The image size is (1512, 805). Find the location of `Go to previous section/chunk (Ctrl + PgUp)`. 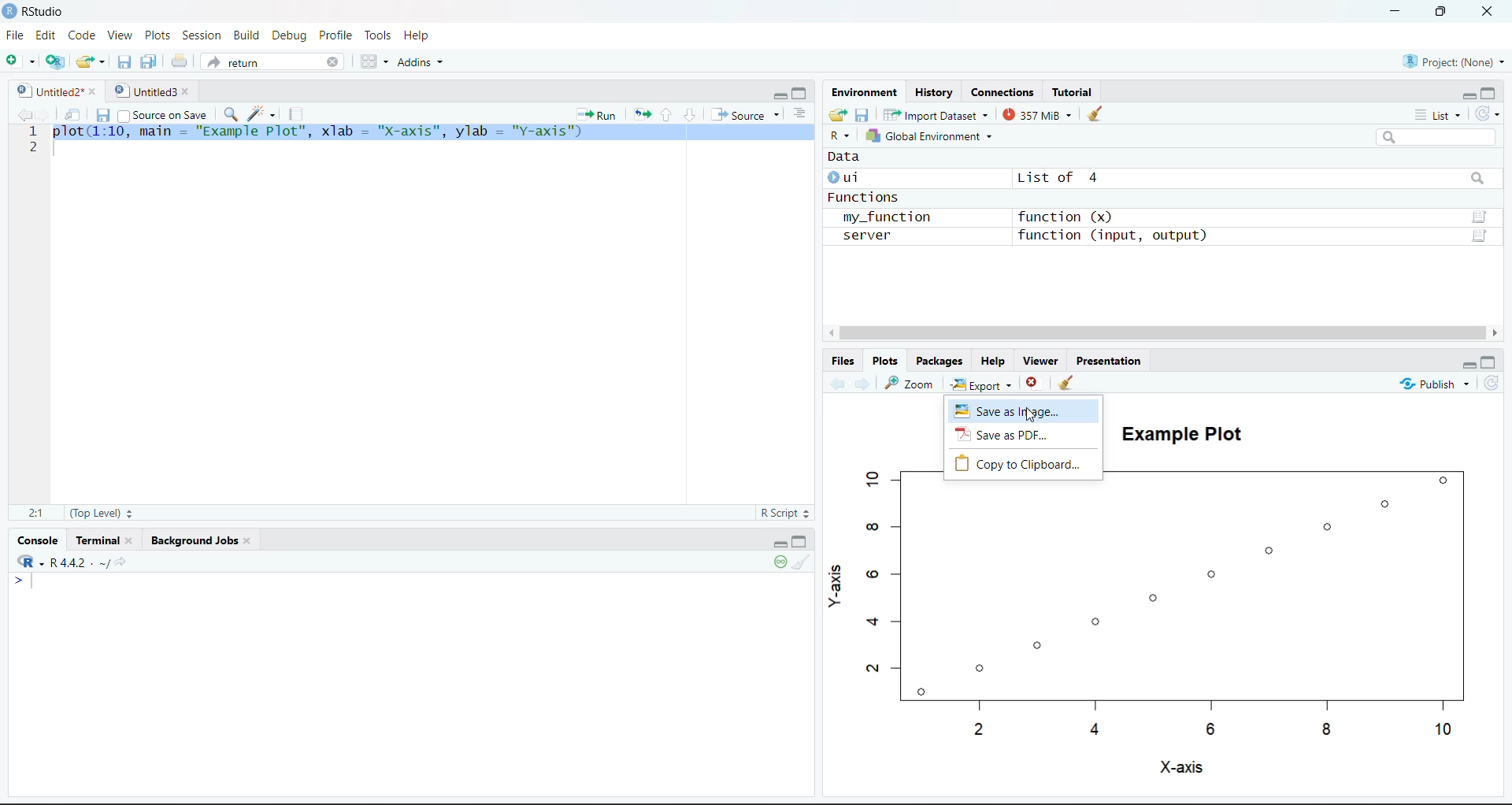

Go to previous section/chunk (Ctrl + PgUp) is located at coordinates (666, 114).